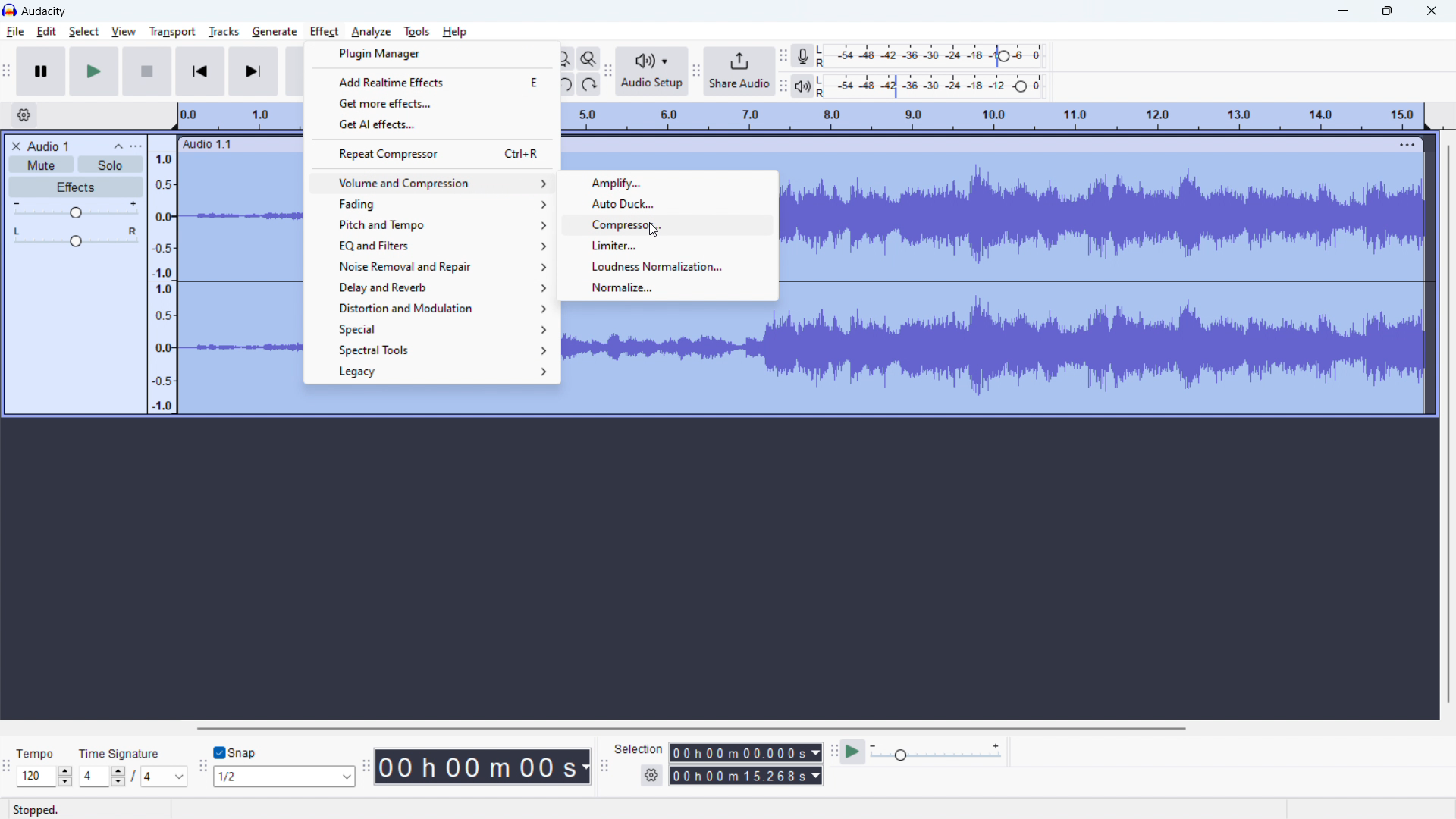  What do you see at coordinates (24, 115) in the screenshot?
I see `timeline settings` at bounding box center [24, 115].